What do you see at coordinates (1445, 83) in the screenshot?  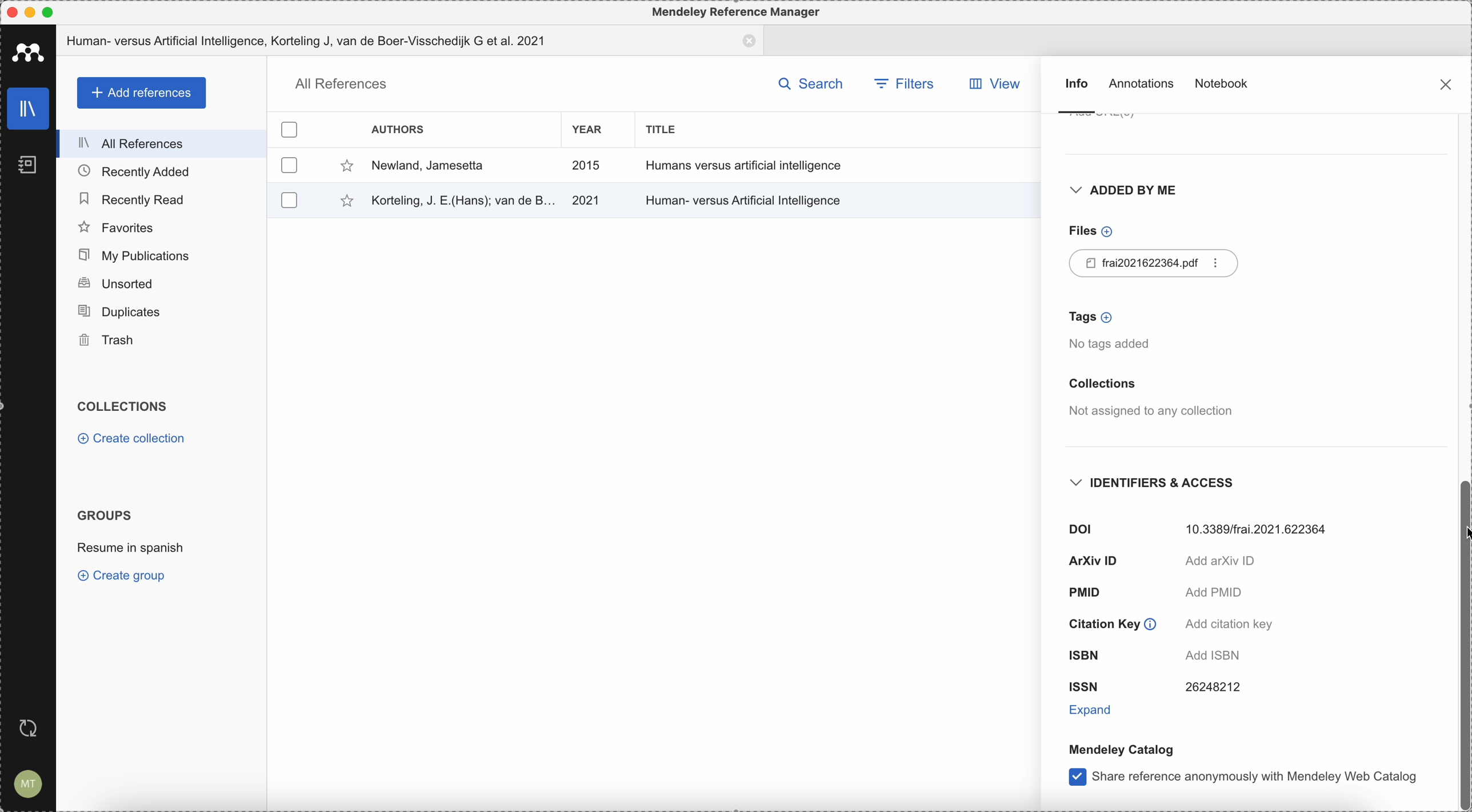 I see `close` at bounding box center [1445, 83].